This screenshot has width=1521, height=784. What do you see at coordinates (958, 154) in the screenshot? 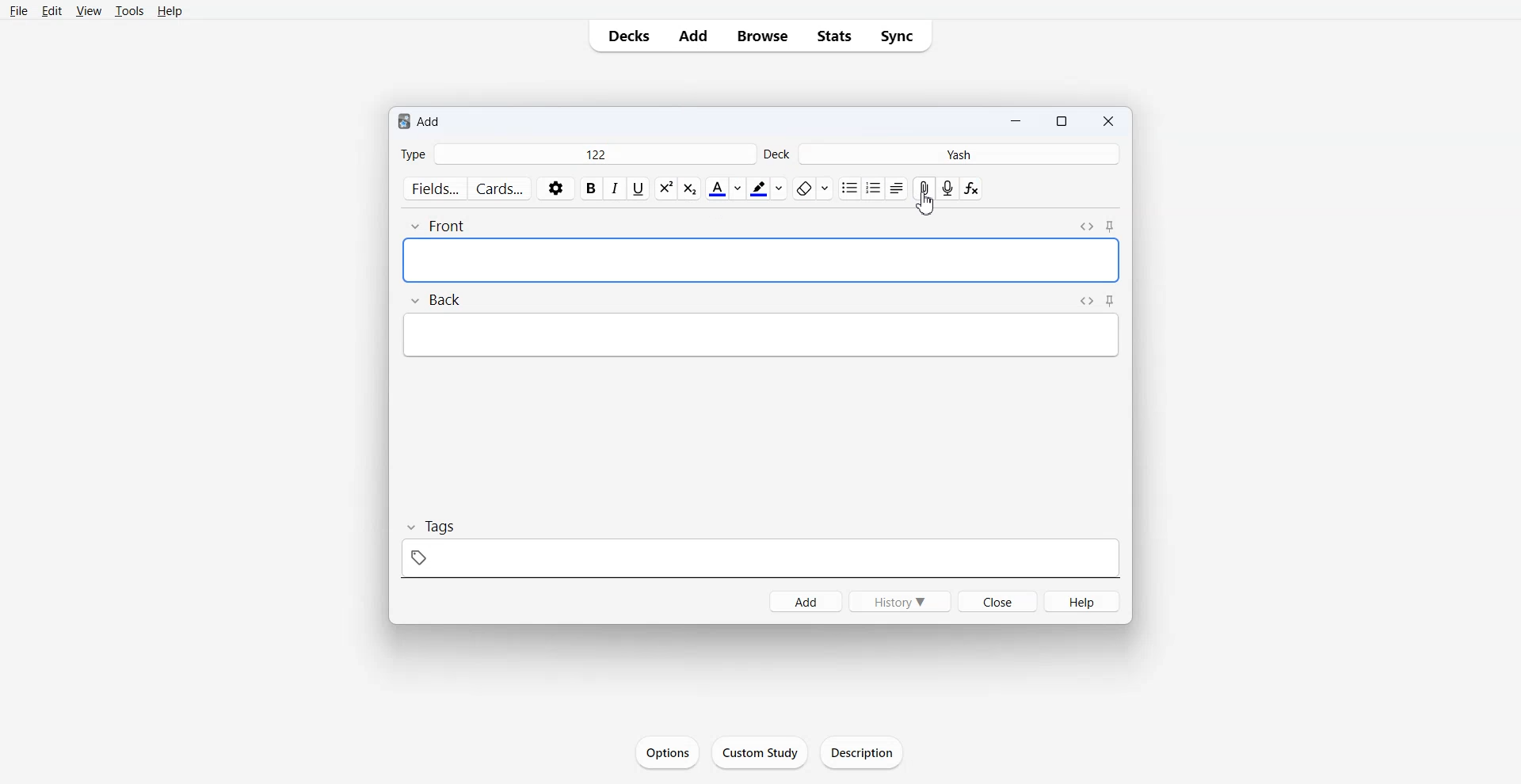
I see `Yash` at bounding box center [958, 154].